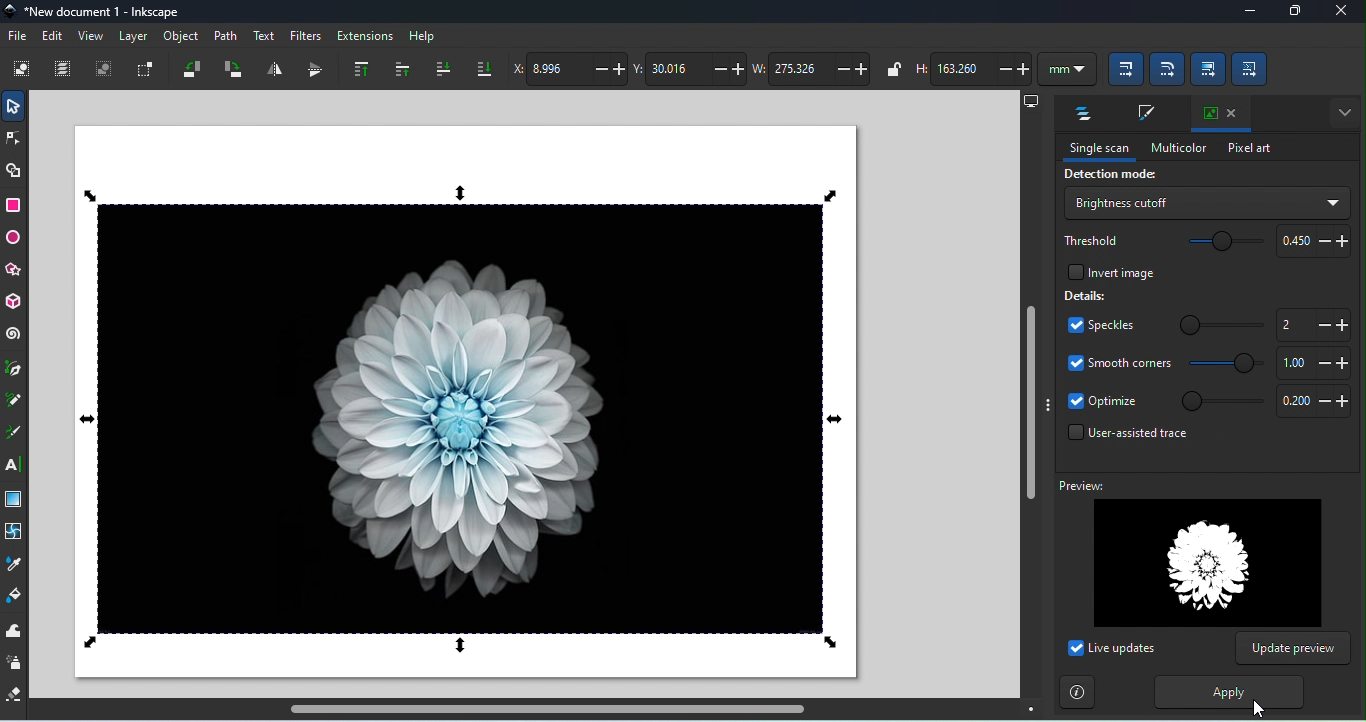 This screenshot has height=722, width=1366. I want to click on Path, so click(227, 35).